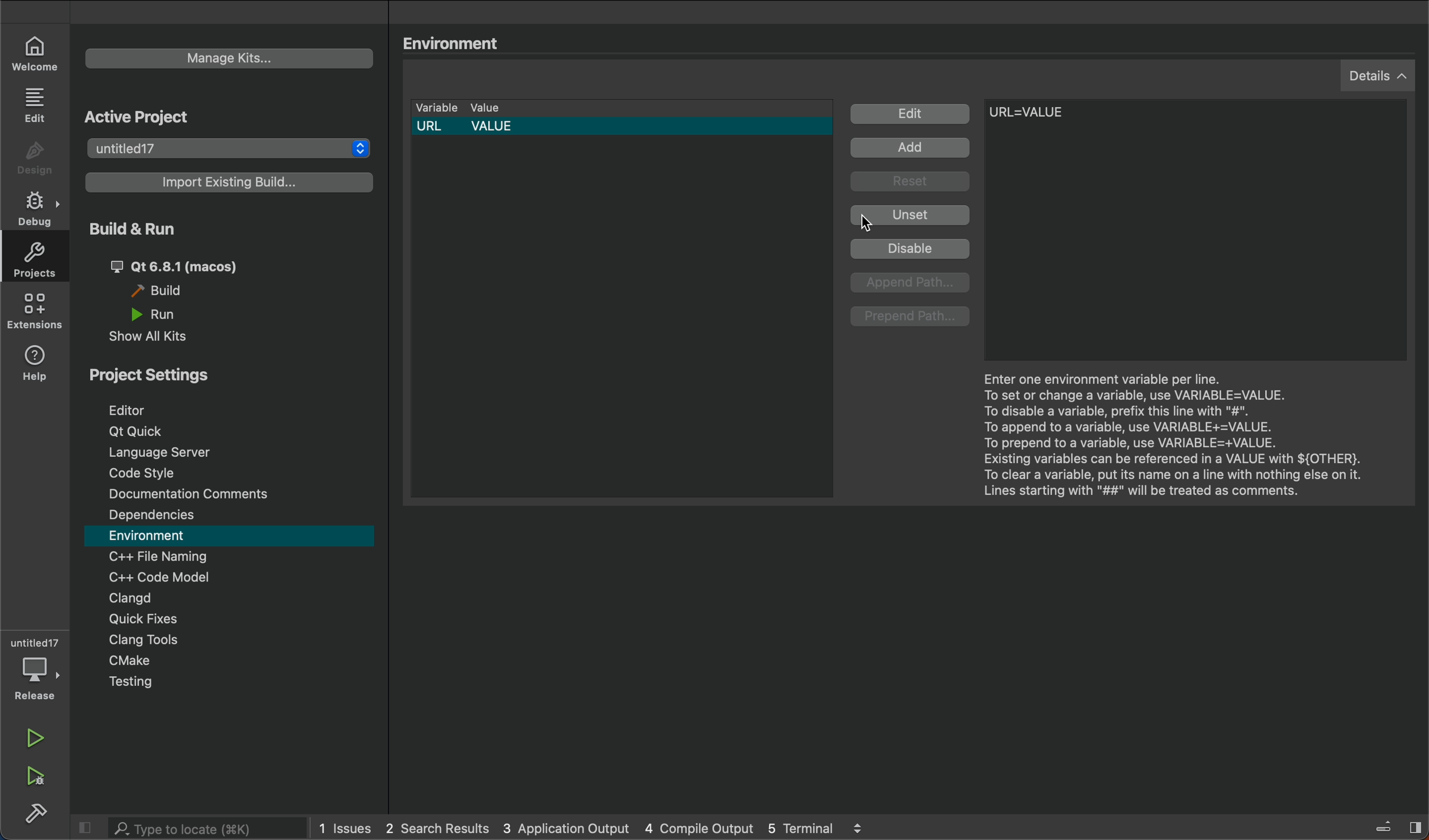 The image size is (1429, 840). Describe the element at coordinates (176, 377) in the screenshot. I see `project setting` at that location.